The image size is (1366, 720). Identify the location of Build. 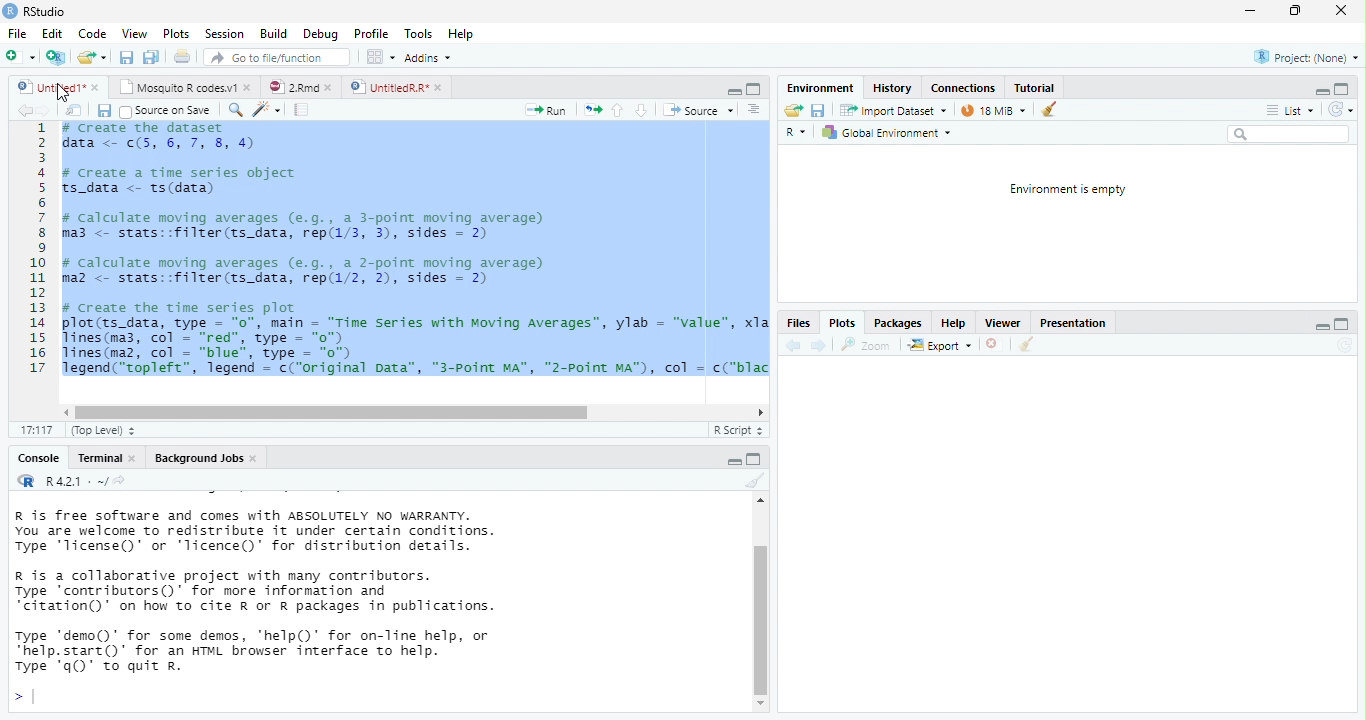
(273, 34).